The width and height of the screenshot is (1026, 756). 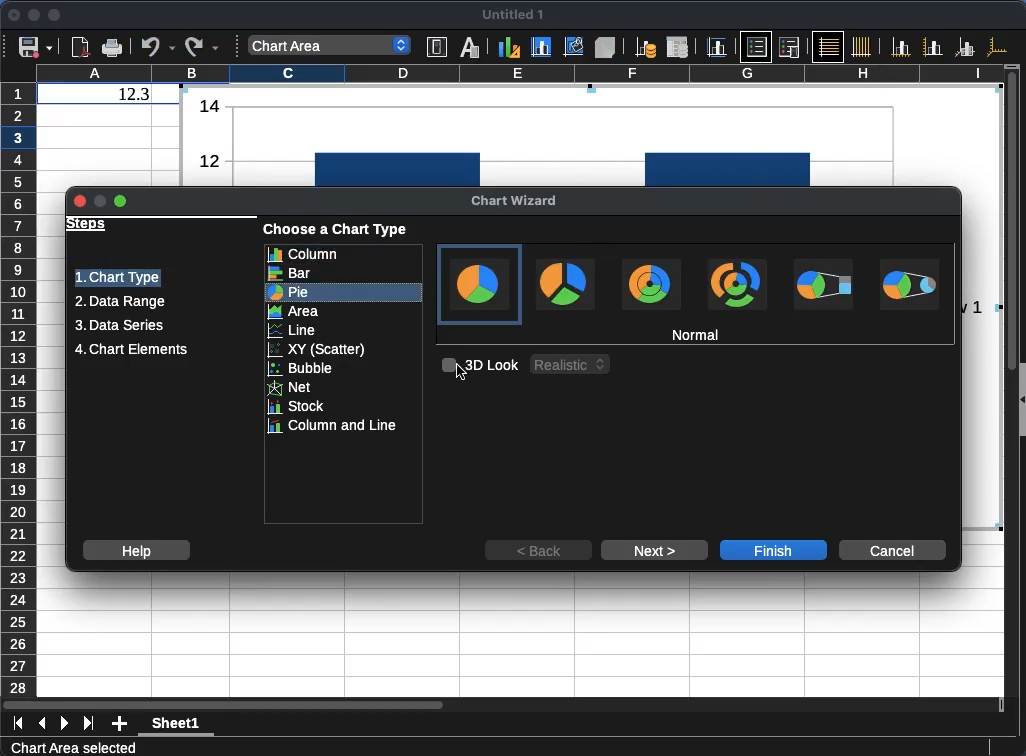 I want to click on choose a chart type, so click(x=337, y=230).